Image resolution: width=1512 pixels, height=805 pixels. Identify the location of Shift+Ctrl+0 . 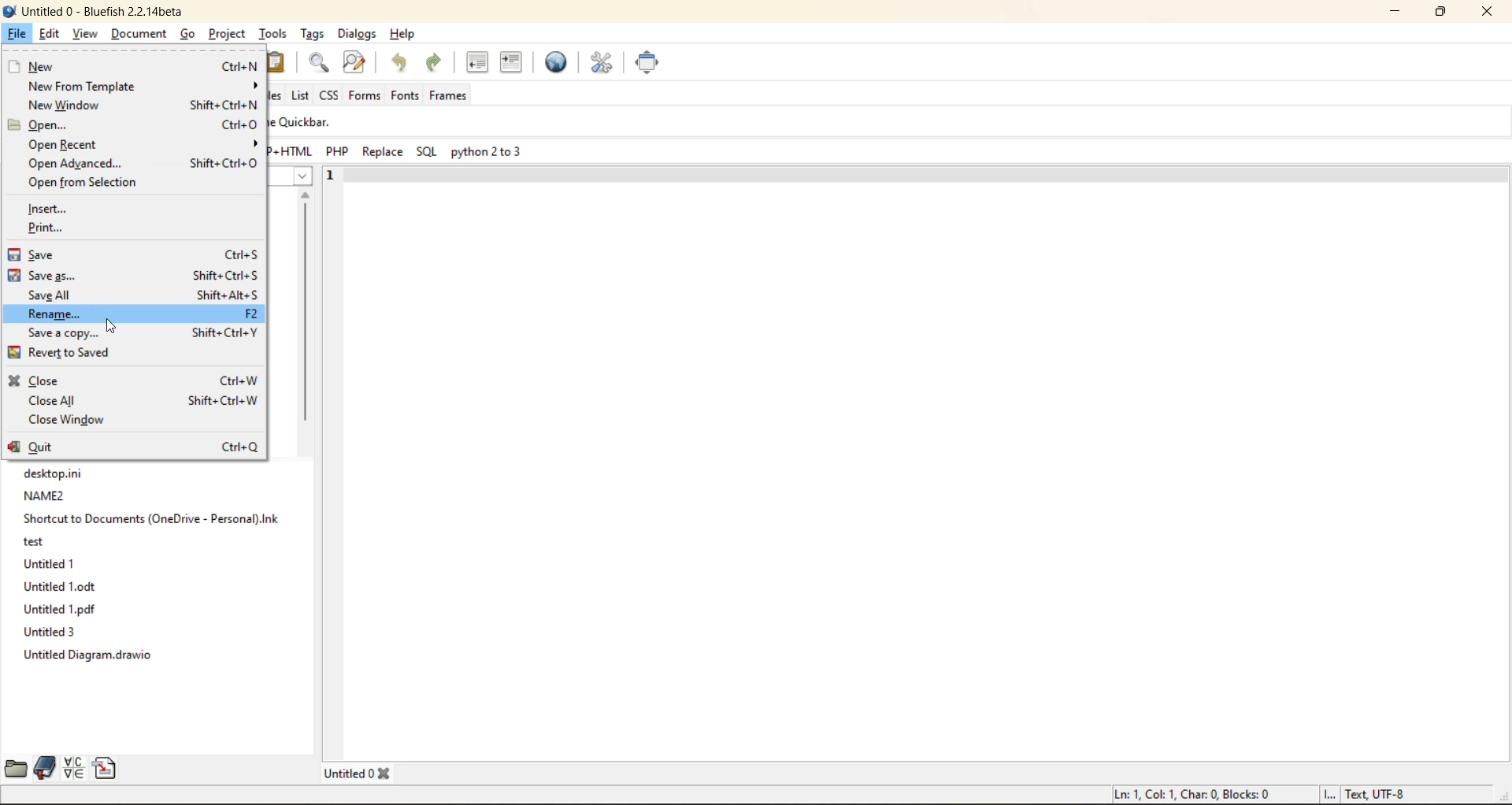
(229, 163).